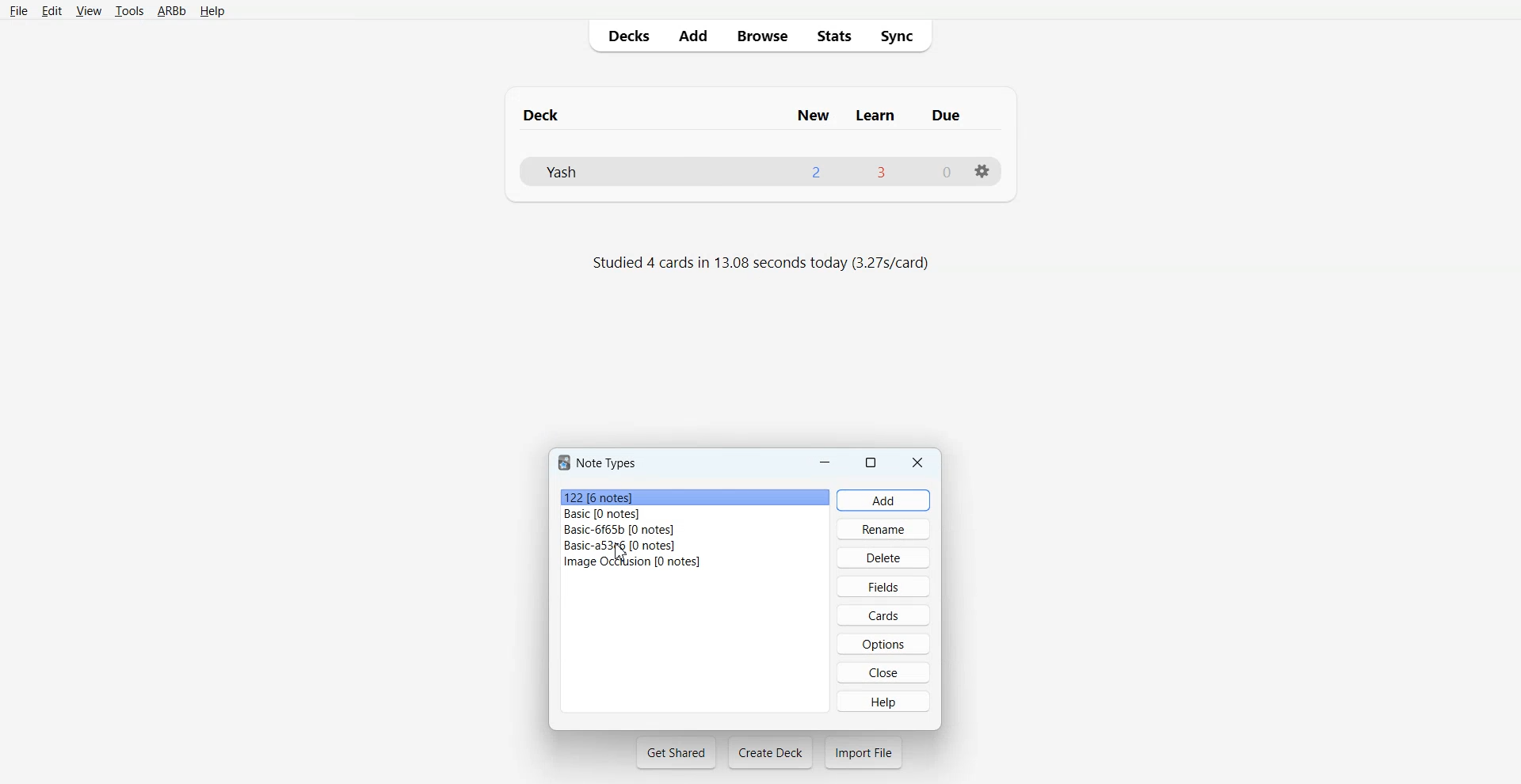 This screenshot has width=1521, height=784. I want to click on Decks, so click(625, 36).